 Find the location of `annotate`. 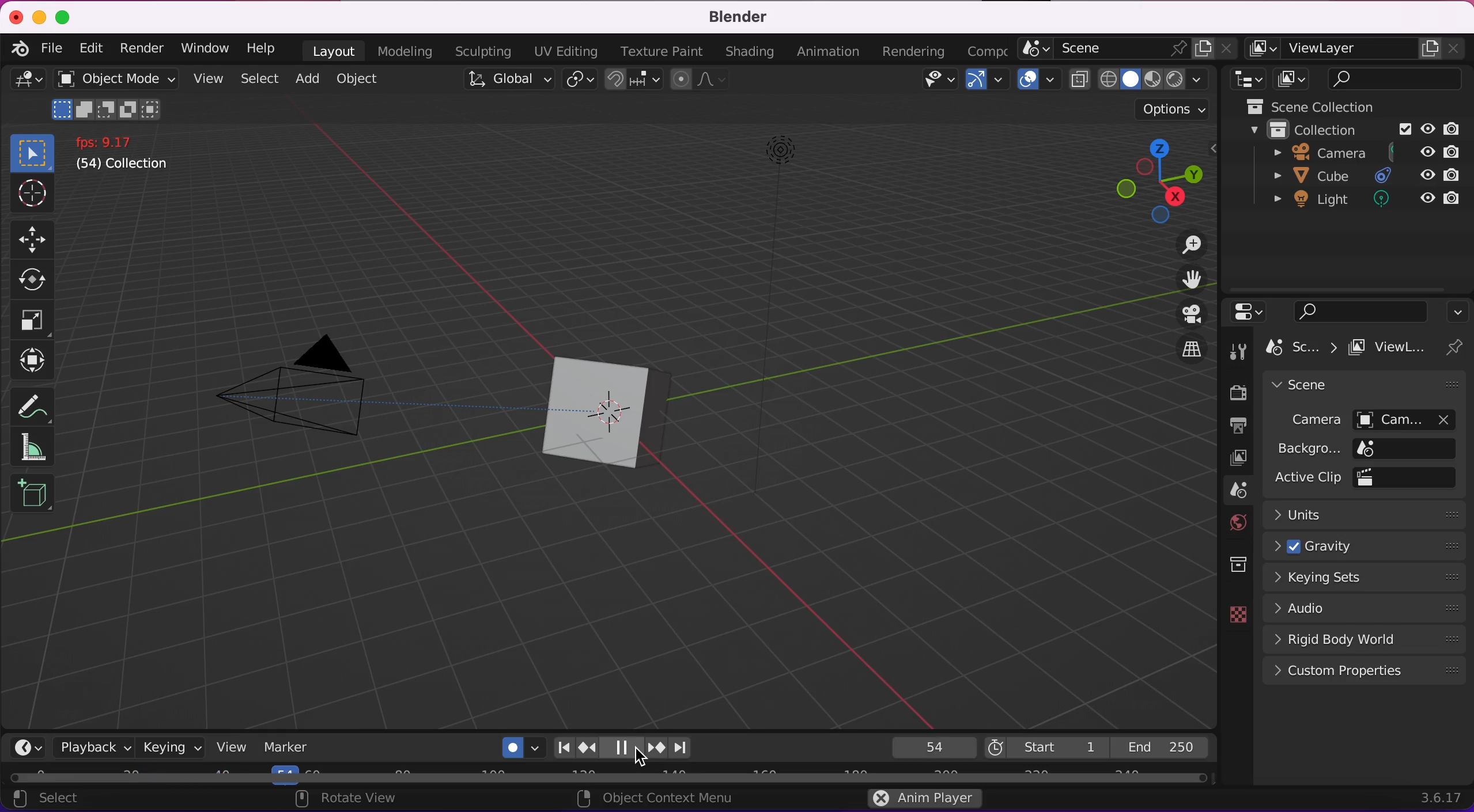

annotate is located at coordinates (29, 403).